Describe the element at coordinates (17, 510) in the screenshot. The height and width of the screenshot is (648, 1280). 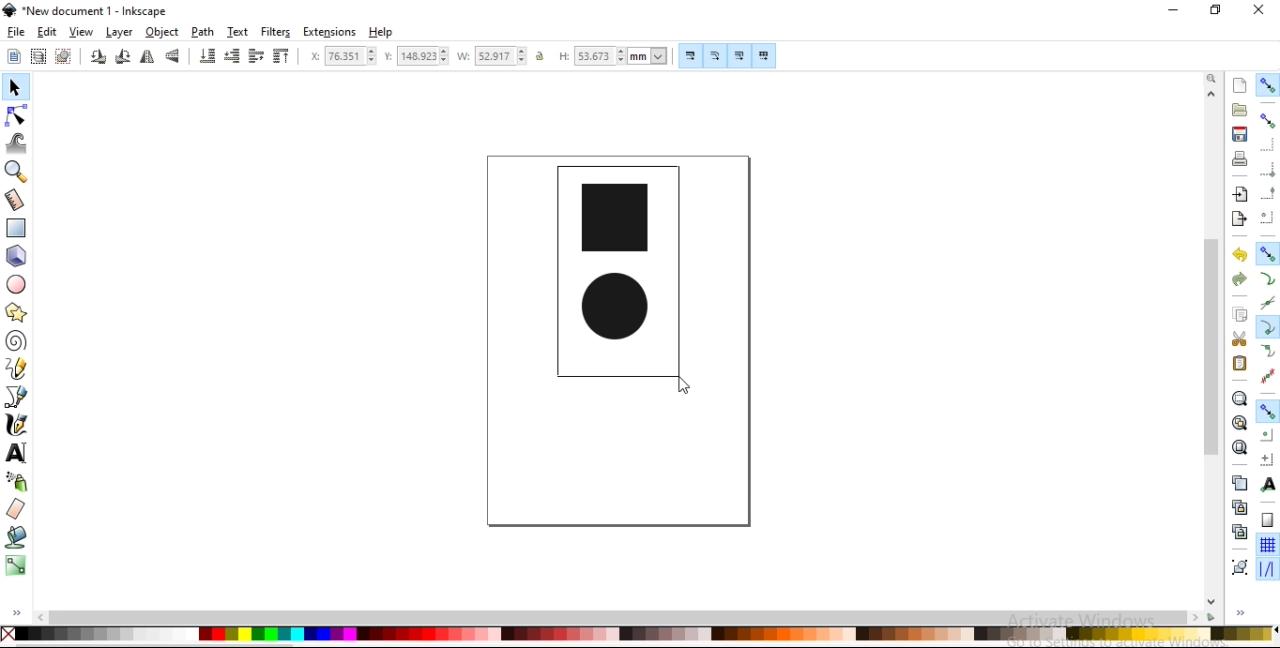
I see `erase existing paths` at that location.